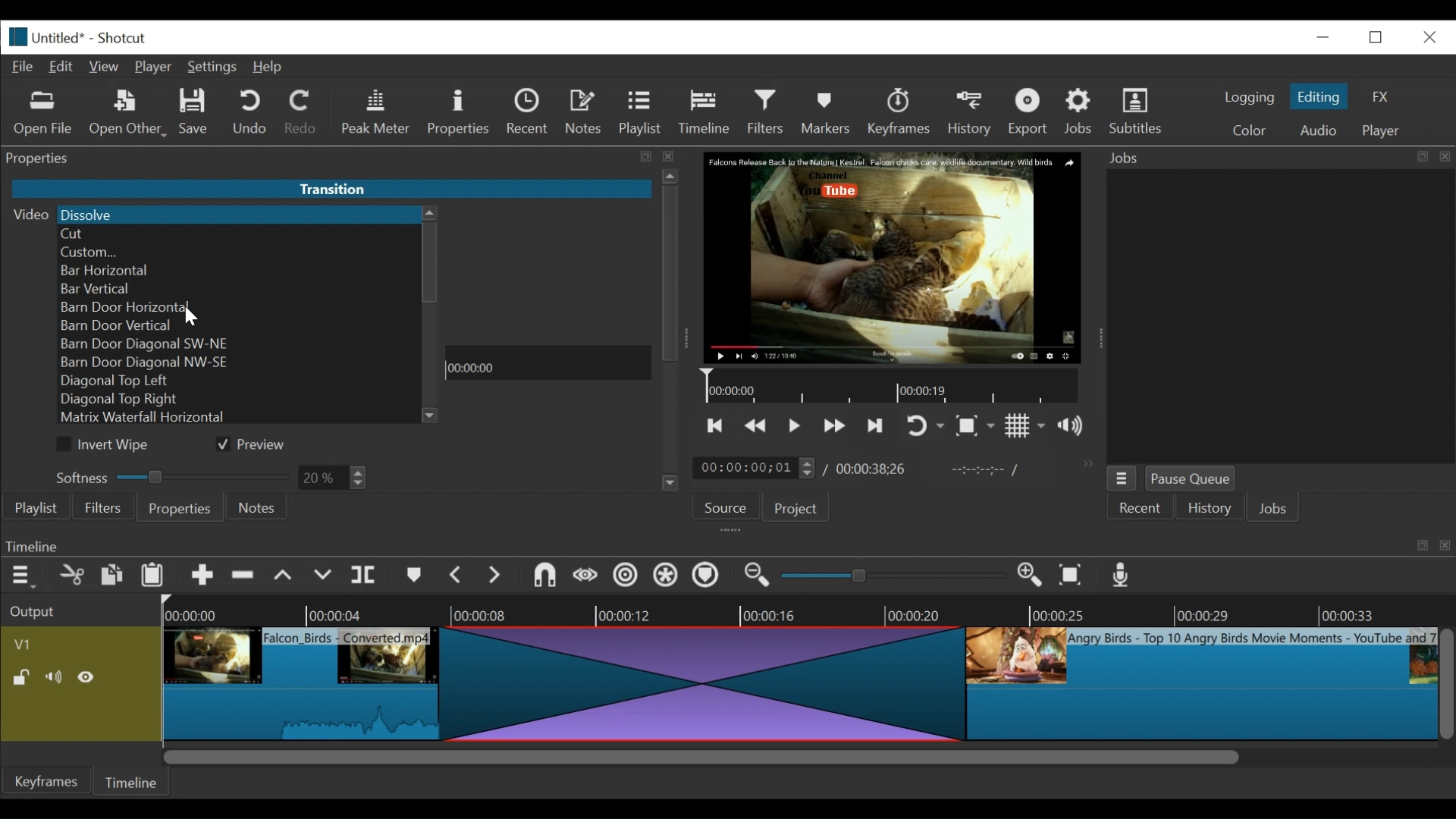 This screenshot has width=1456, height=819. What do you see at coordinates (755, 577) in the screenshot?
I see `Zoom timeline in` at bounding box center [755, 577].